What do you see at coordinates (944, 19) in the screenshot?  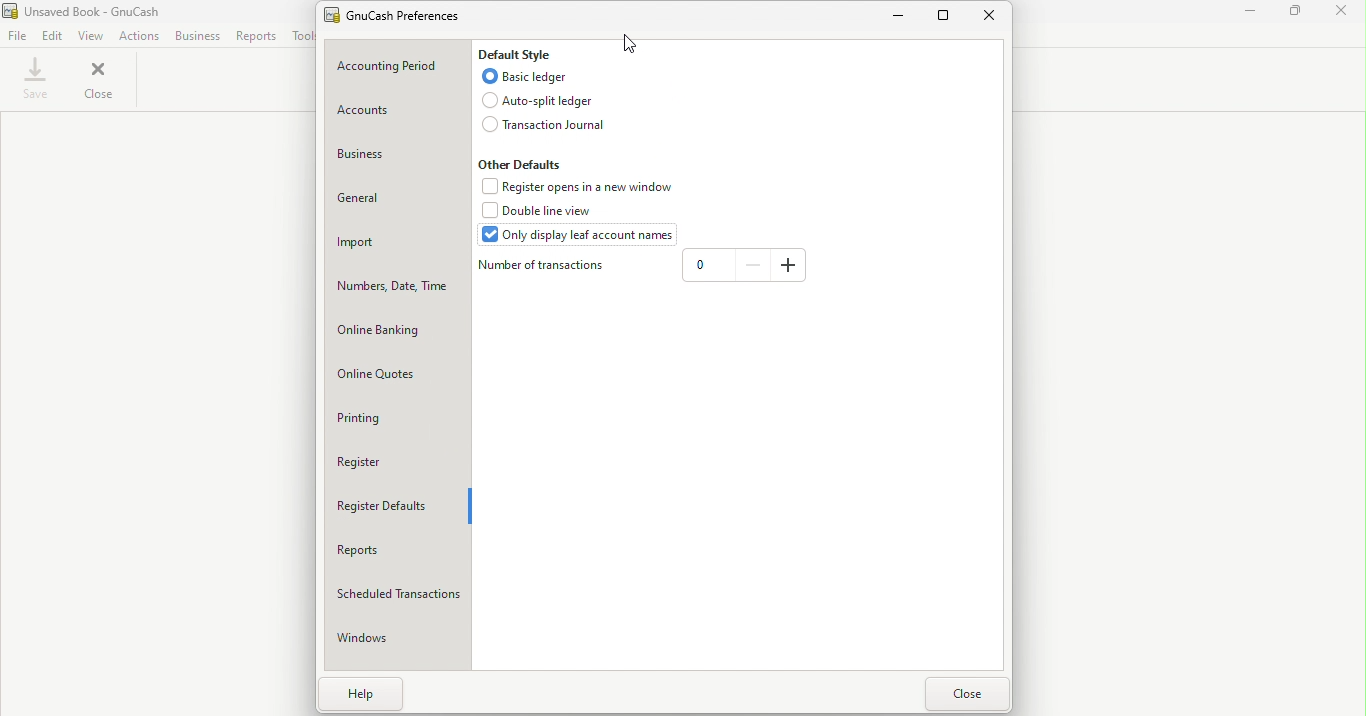 I see `Maximize` at bounding box center [944, 19].